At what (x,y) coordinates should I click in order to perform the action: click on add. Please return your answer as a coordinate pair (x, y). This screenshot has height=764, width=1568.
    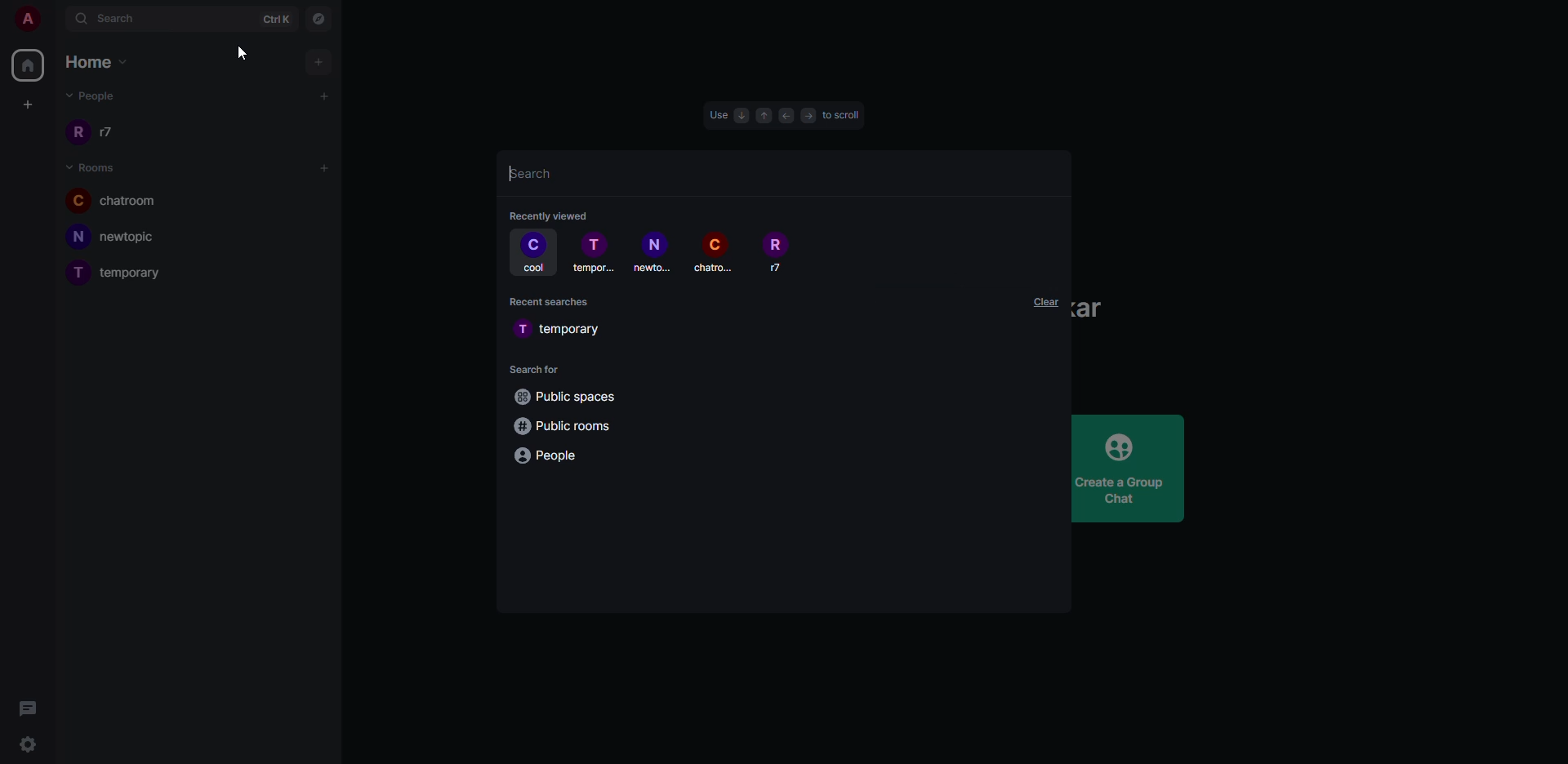
    Looking at the image, I should click on (324, 95).